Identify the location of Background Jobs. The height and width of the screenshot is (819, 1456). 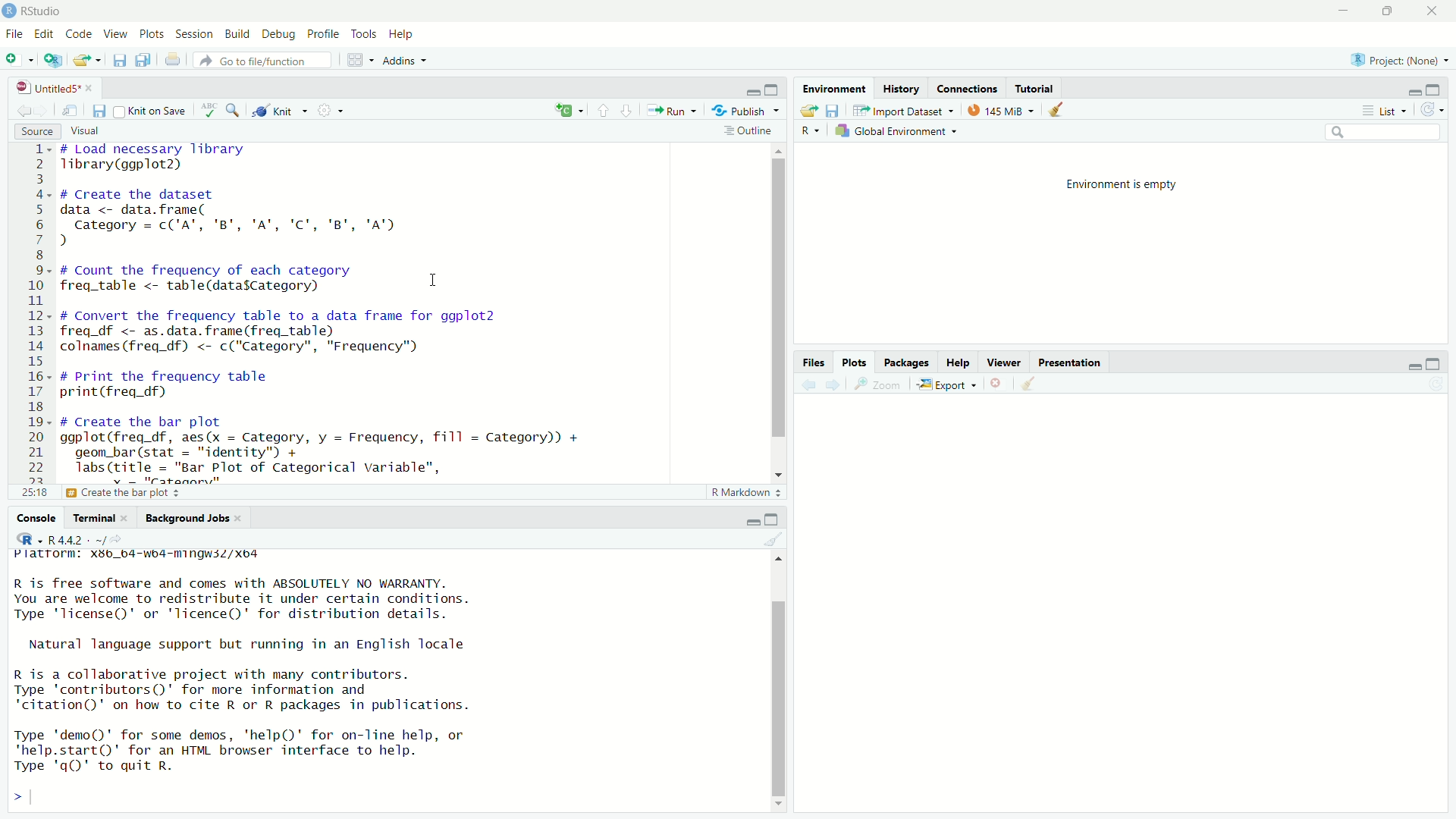
(189, 518).